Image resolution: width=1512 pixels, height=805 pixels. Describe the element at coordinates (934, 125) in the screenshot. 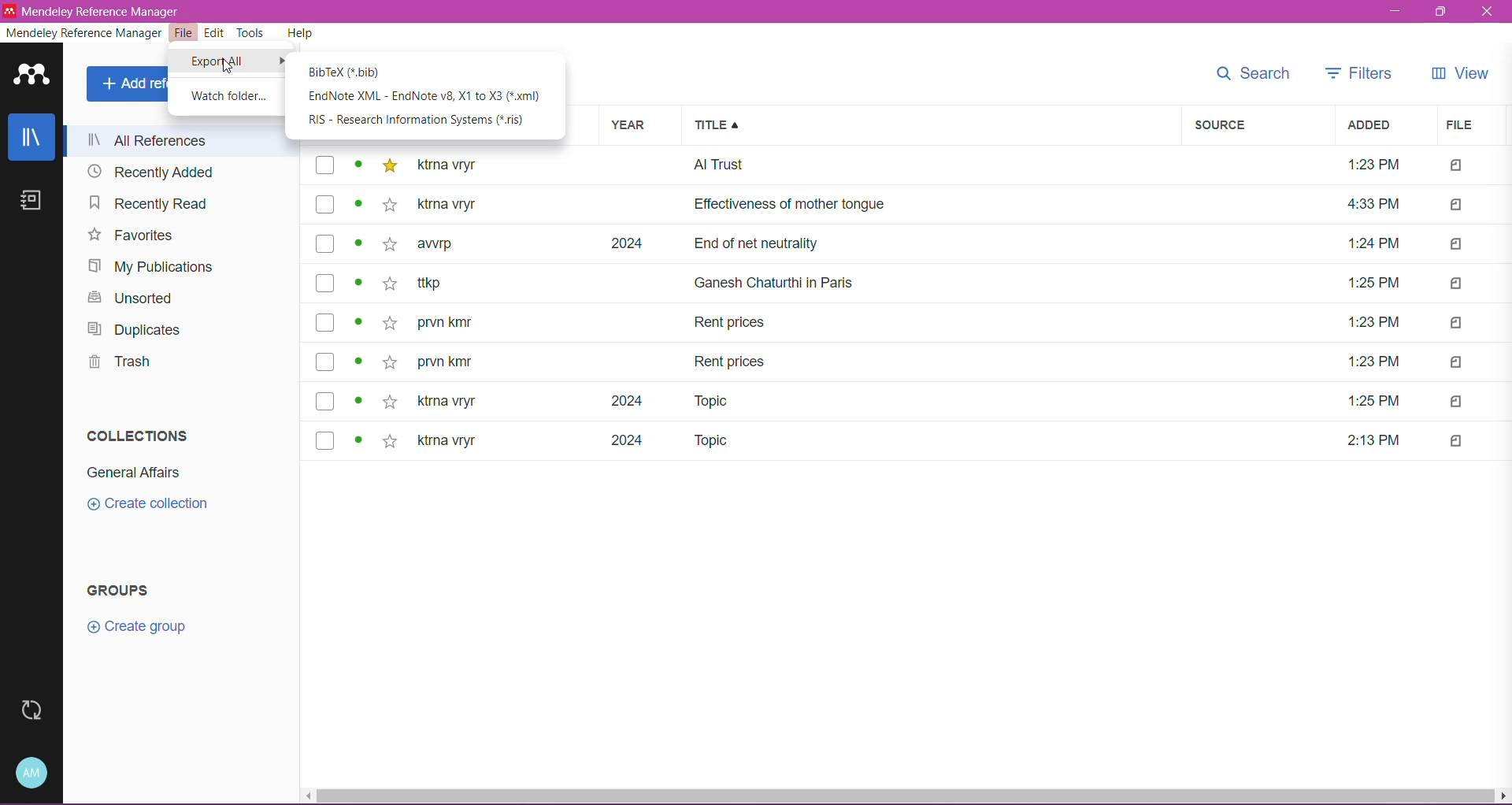

I see `Title` at that location.